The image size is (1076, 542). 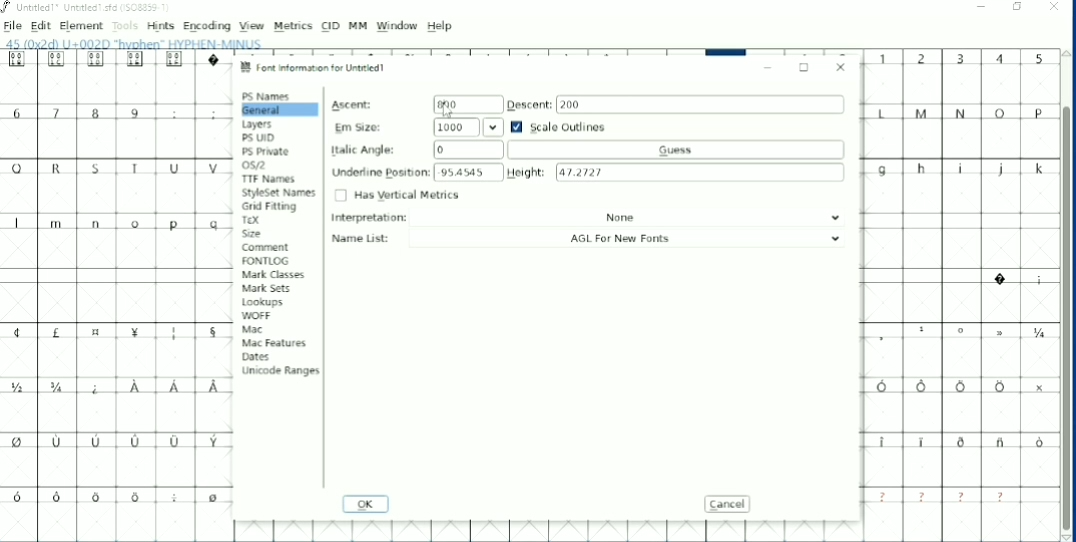 What do you see at coordinates (268, 290) in the screenshot?
I see `Mark Sets` at bounding box center [268, 290].